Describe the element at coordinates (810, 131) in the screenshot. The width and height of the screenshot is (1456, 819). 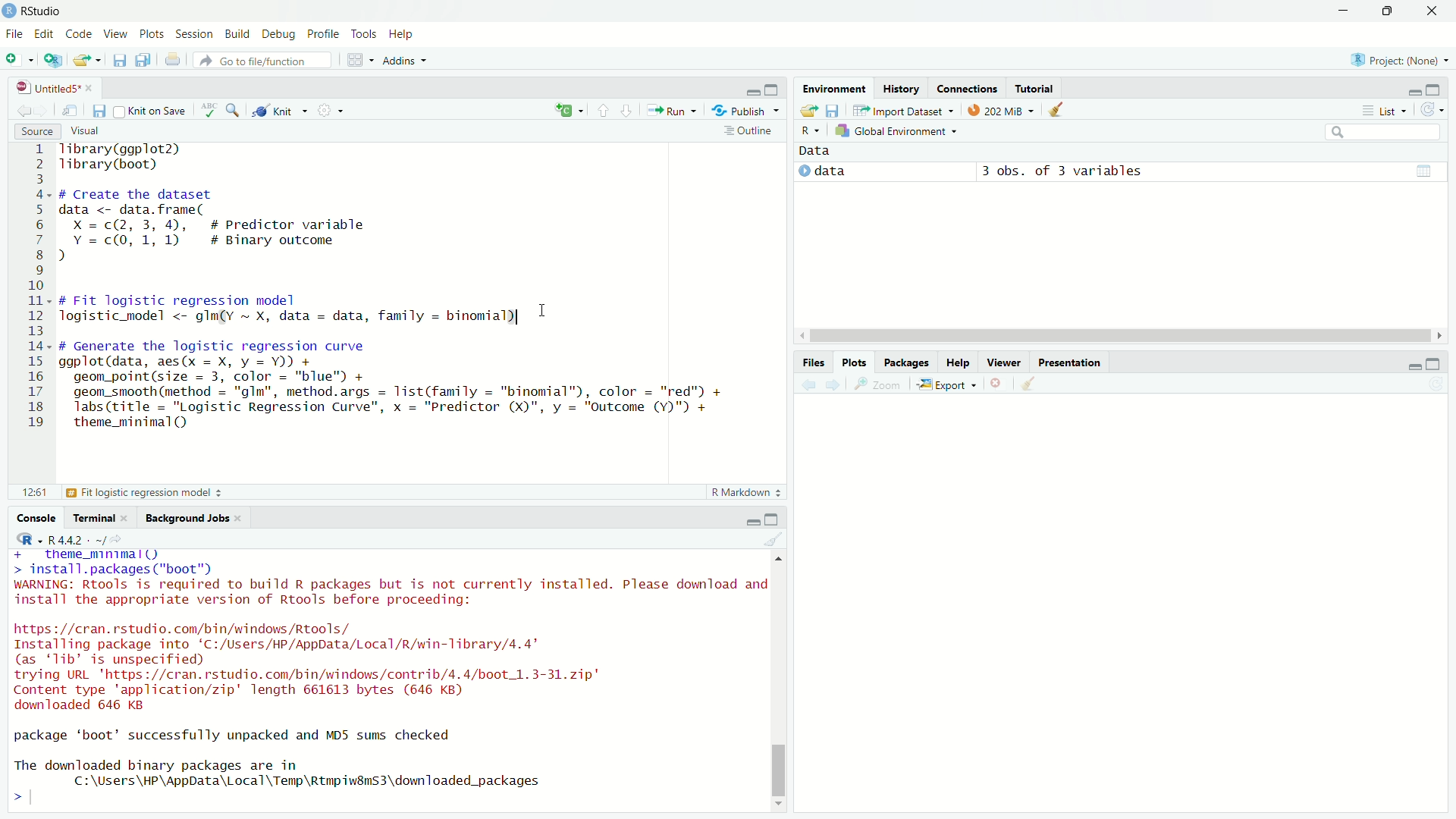
I see `R` at that location.